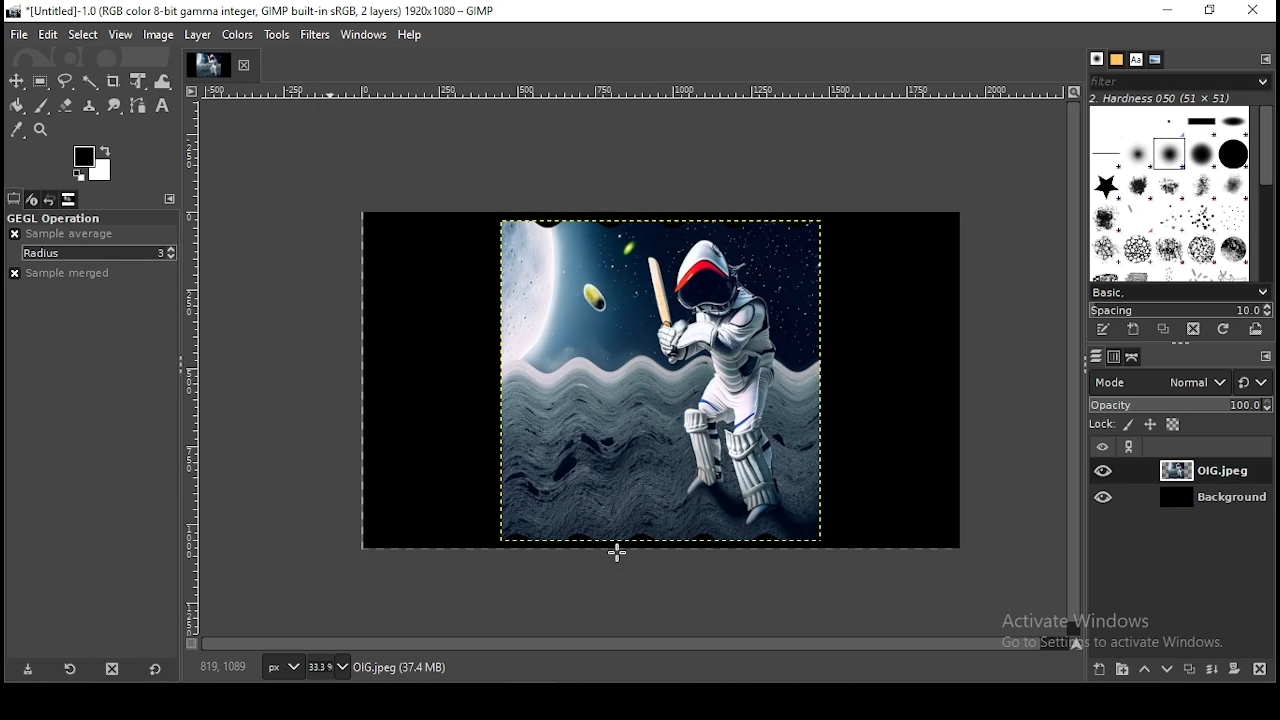  Describe the element at coordinates (1215, 11) in the screenshot. I see `restore` at that location.